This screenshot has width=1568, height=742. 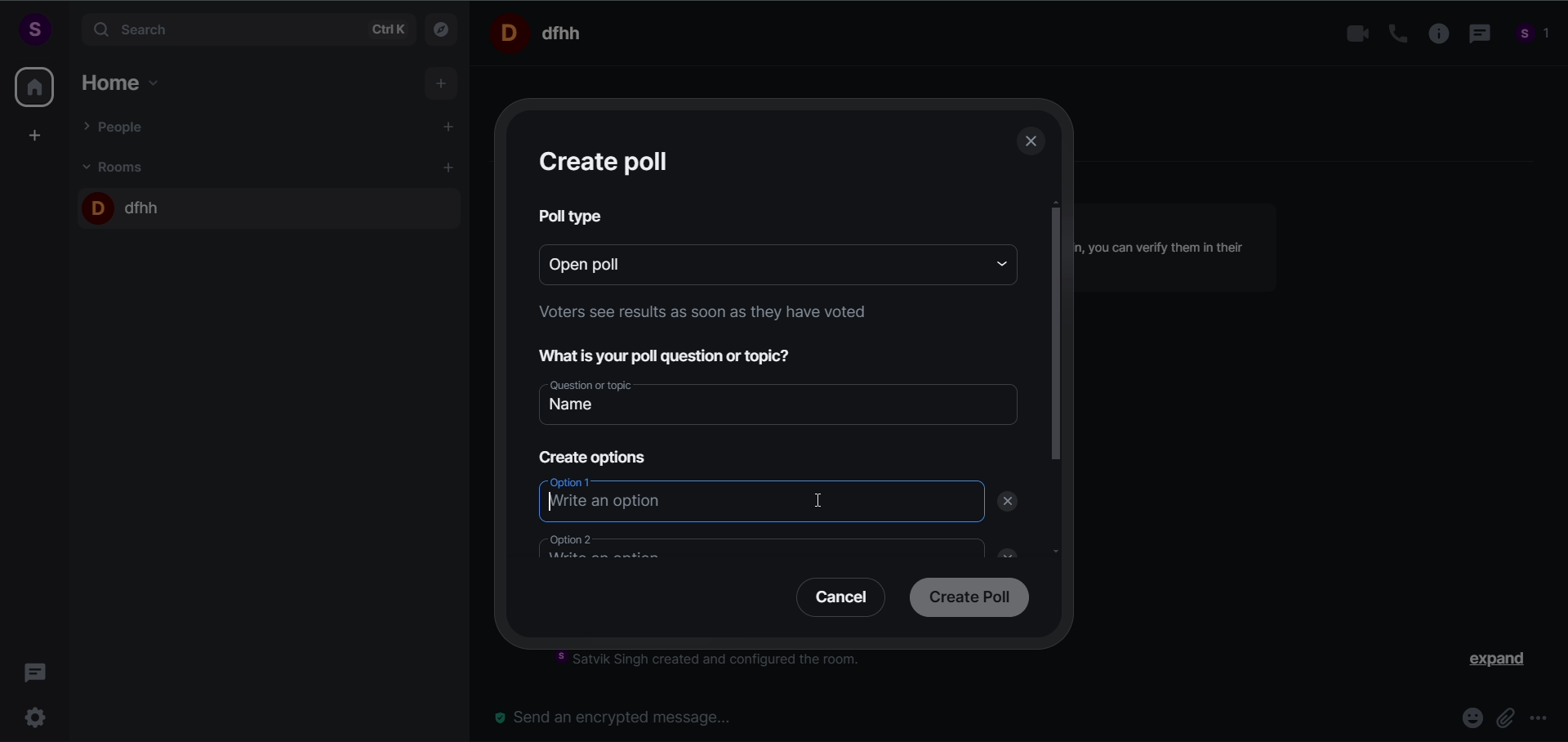 I want to click on close, so click(x=1002, y=551).